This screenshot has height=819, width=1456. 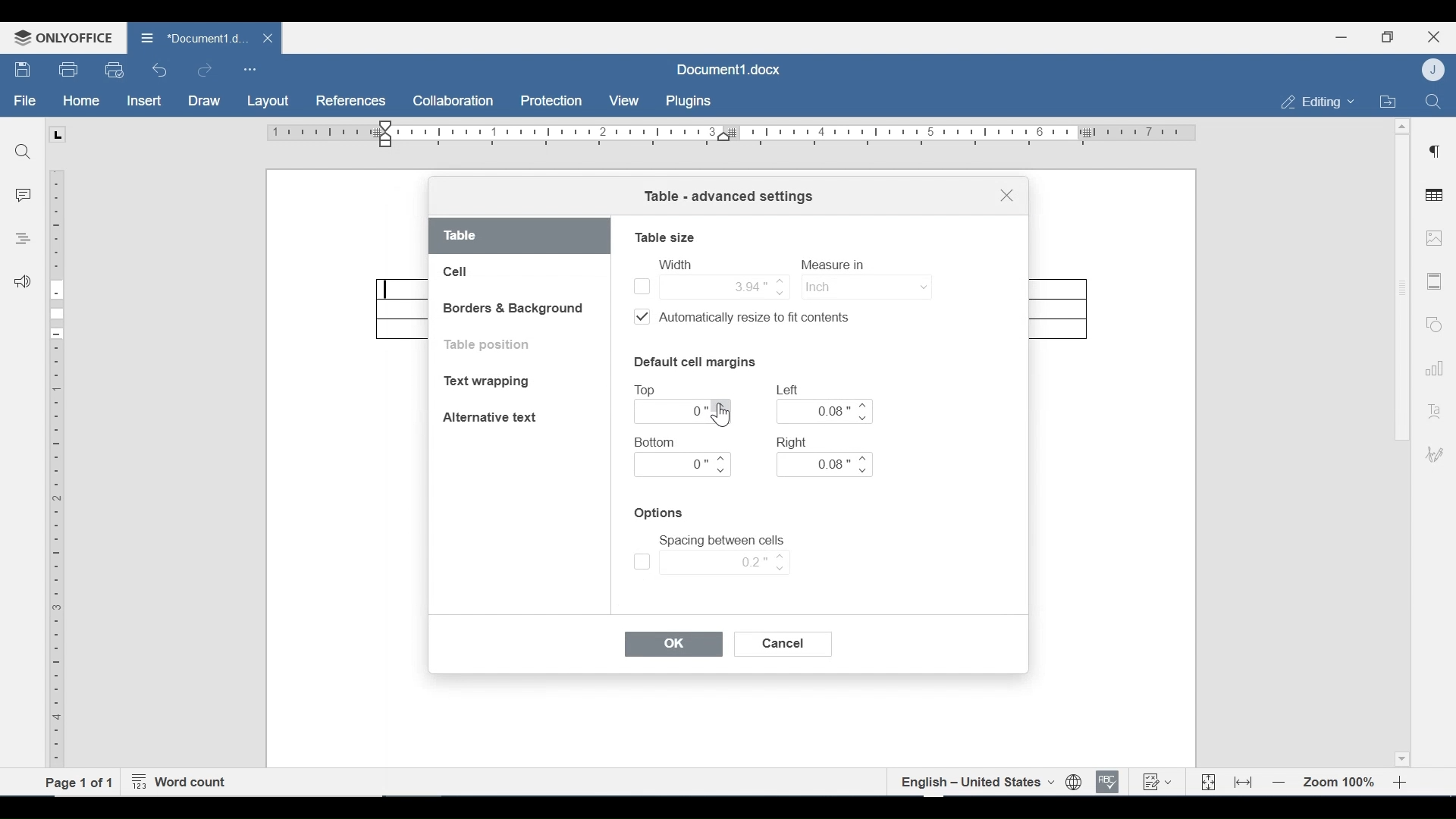 What do you see at coordinates (1108, 782) in the screenshot?
I see `Spell checking` at bounding box center [1108, 782].